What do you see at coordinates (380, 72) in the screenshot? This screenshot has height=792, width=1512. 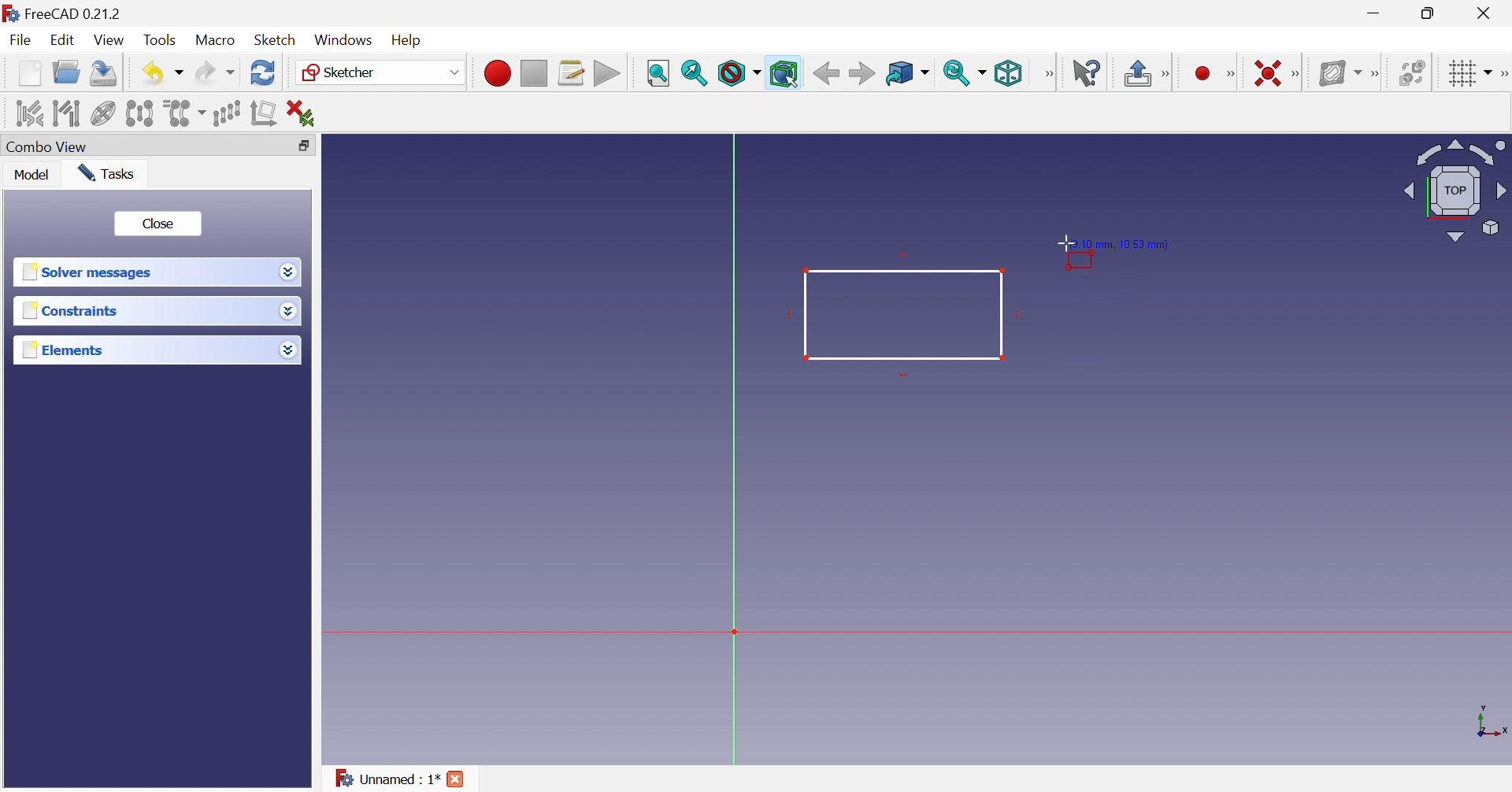 I see `Sketcher` at bounding box center [380, 72].